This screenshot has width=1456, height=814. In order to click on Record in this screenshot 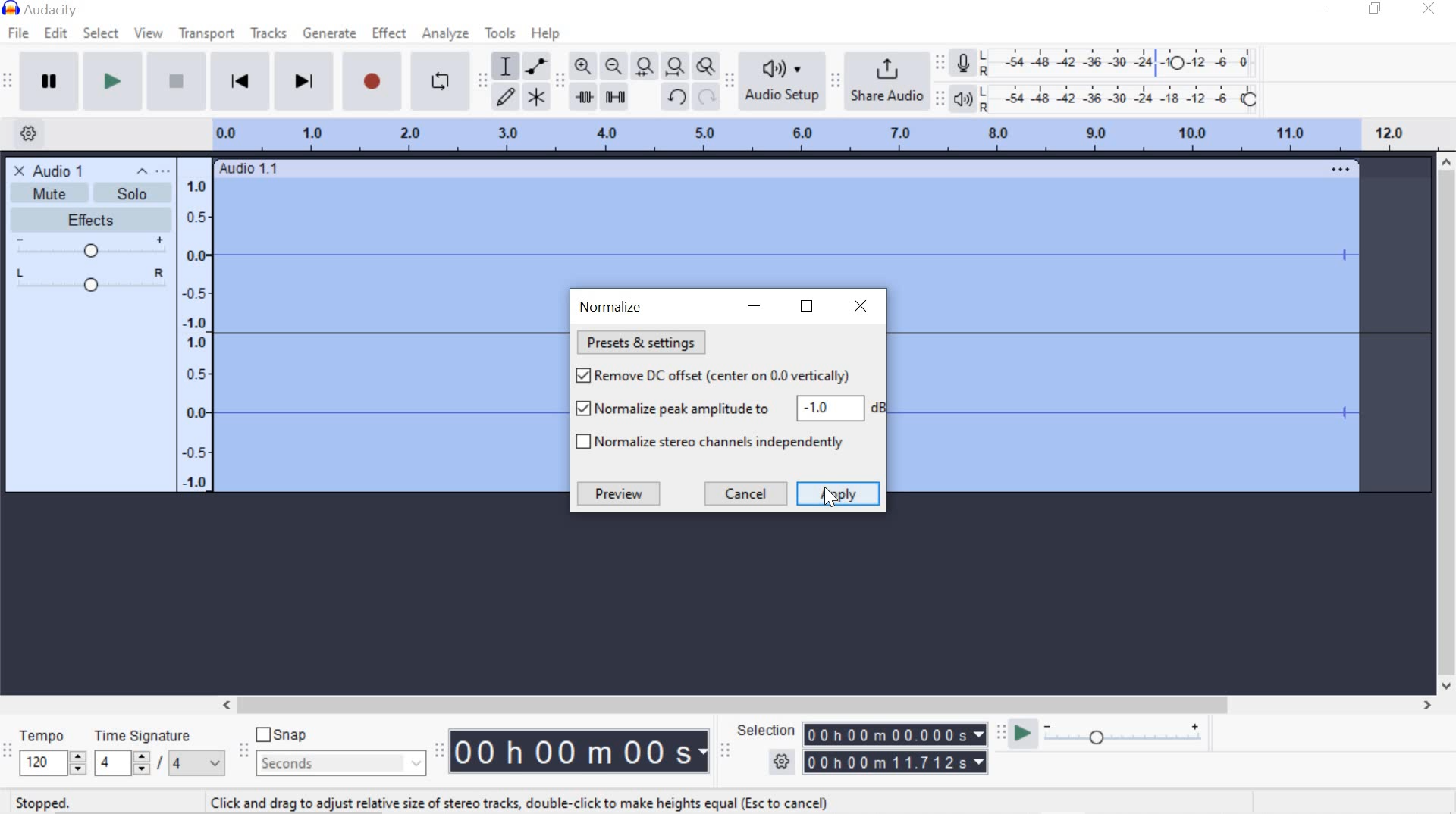, I will do `click(370, 85)`.